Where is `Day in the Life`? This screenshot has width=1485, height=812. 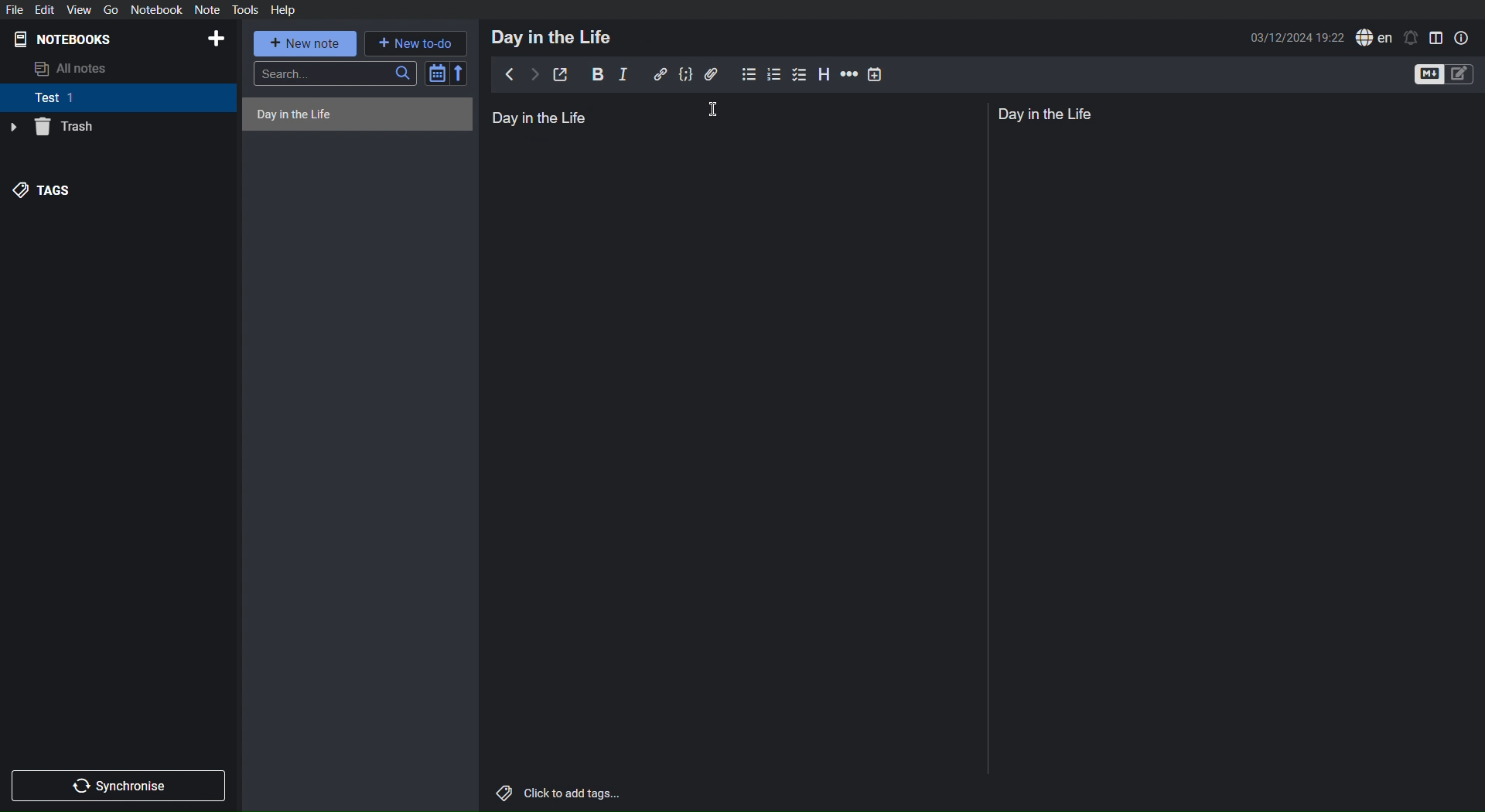
Day in the Life is located at coordinates (555, 36).